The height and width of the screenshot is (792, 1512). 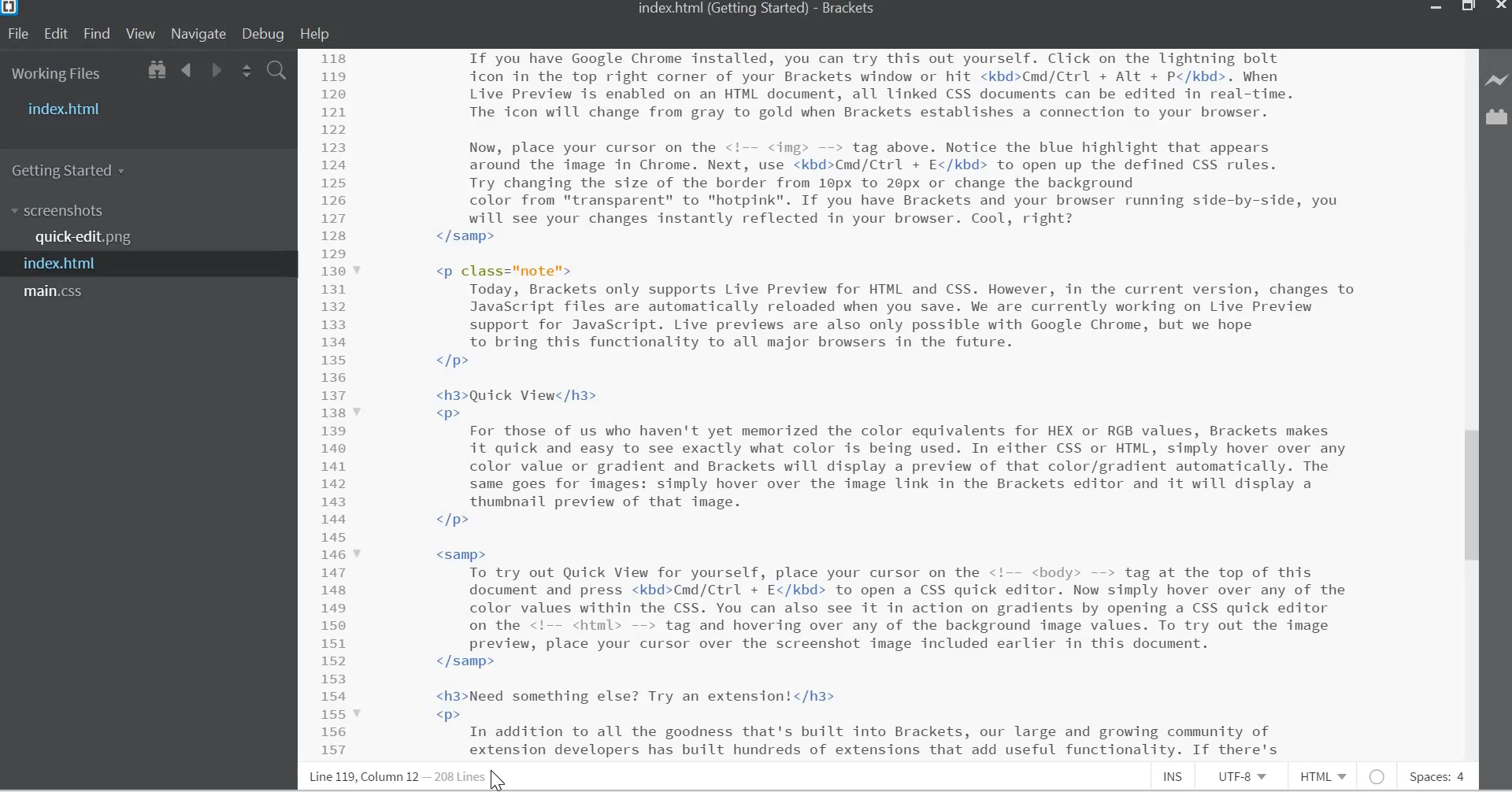 What do you see at coordinates (1433, 7) in the screenshot?
I see `minimize` at bounding box center [1433, 7].